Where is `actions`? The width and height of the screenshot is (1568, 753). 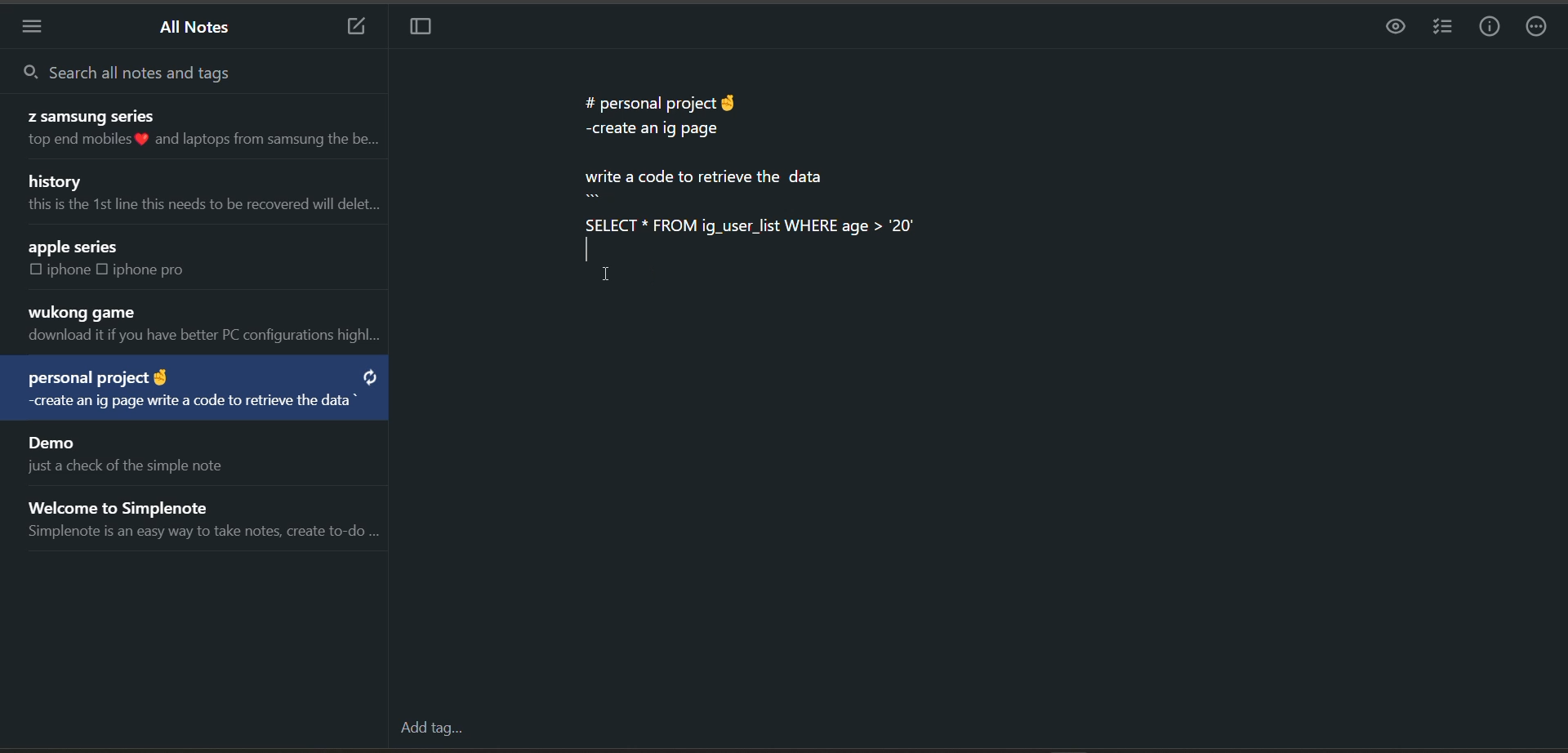
actions is located at coordinates (1539, 29).